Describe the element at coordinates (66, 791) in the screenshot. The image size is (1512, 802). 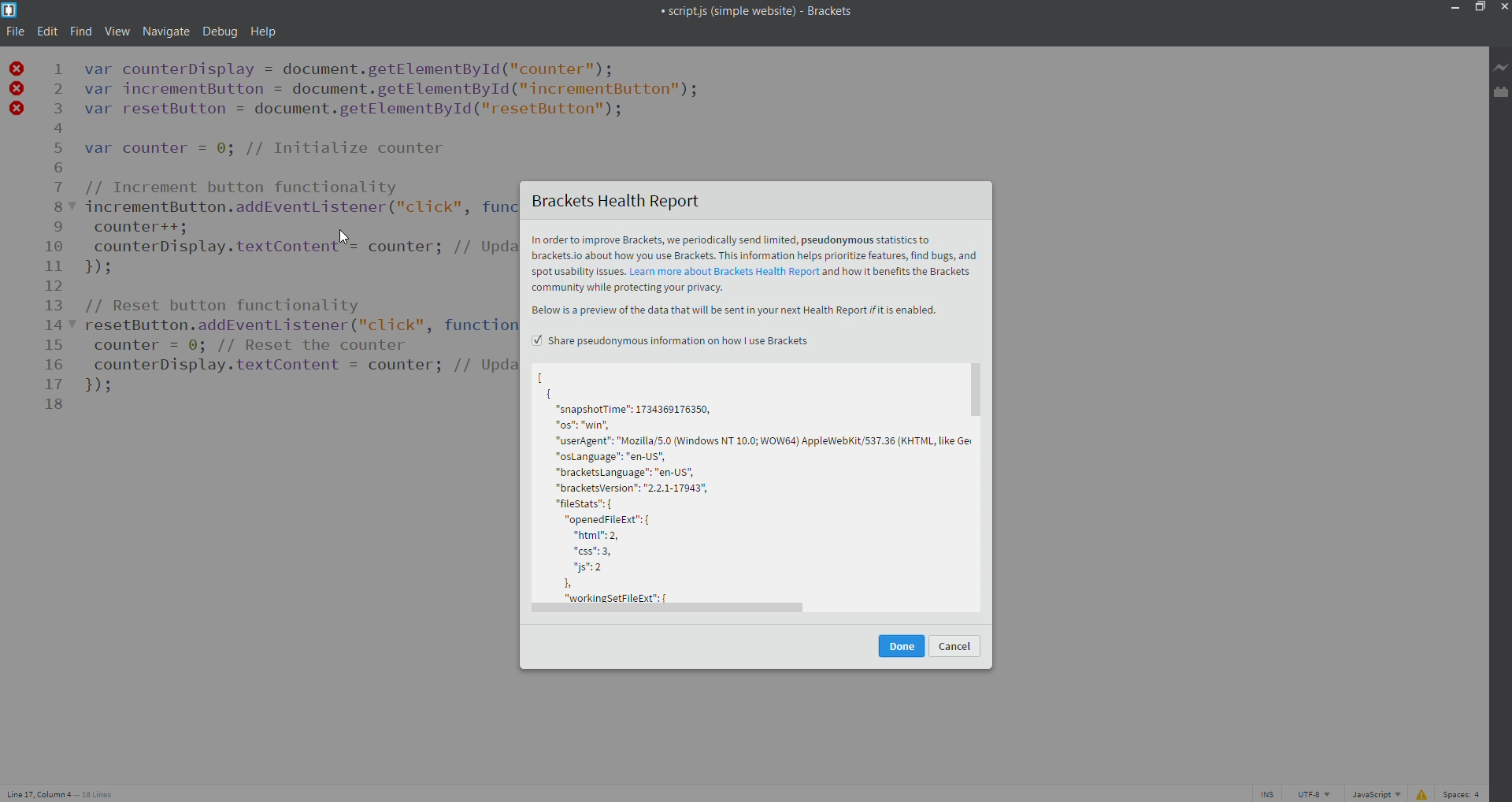
I see `cursor position` at that location.